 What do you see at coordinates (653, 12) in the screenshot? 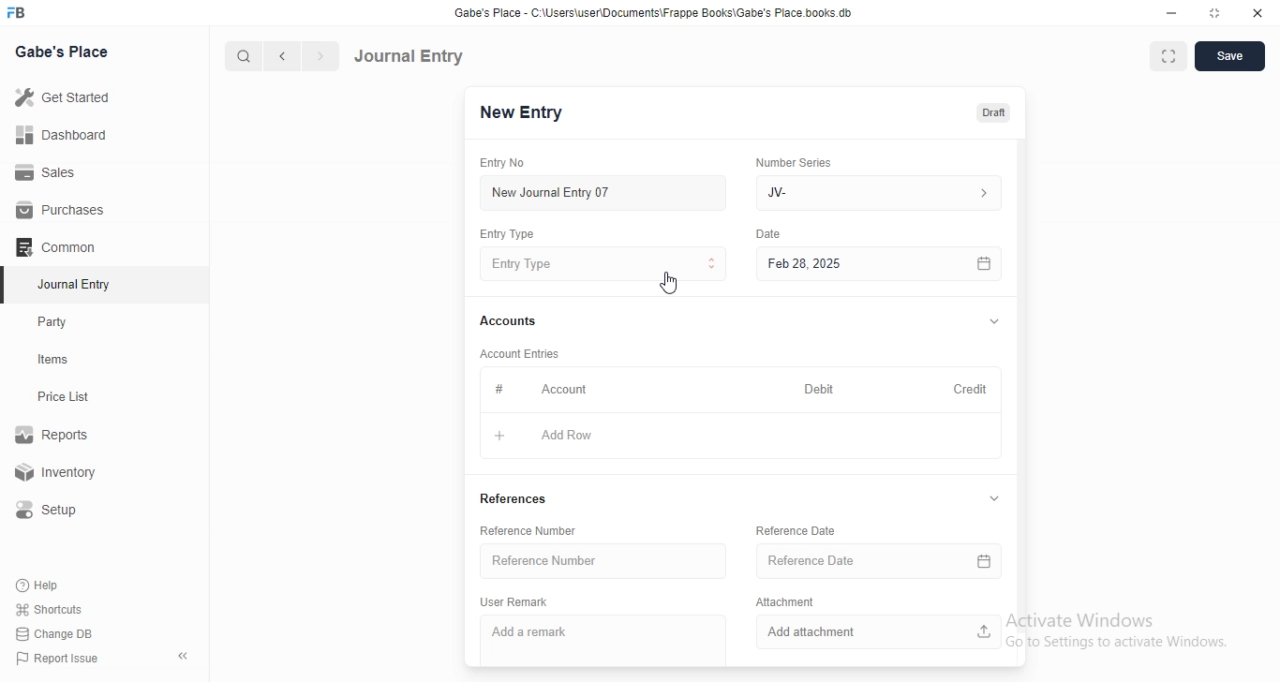
I see `‘Gabe's Place - C\UsersiuserDocuments\Frappe Books\Gabe's Place books db` at bounding box center [653, 12].